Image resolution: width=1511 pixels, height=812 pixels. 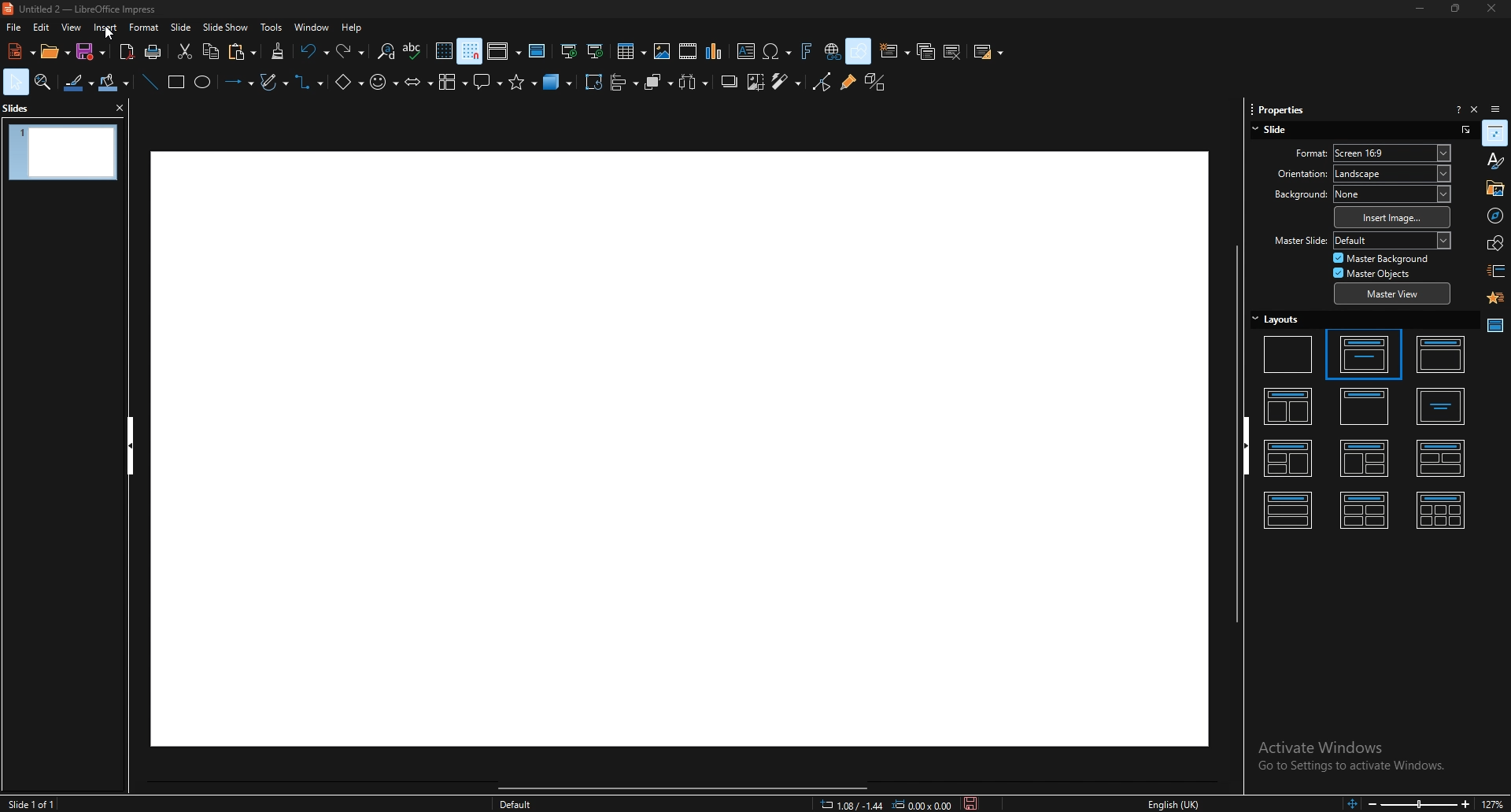 What do you see at coordinates (1365, 405) in the screenshot?
I see `title only` at bounding box center [1365, 405].